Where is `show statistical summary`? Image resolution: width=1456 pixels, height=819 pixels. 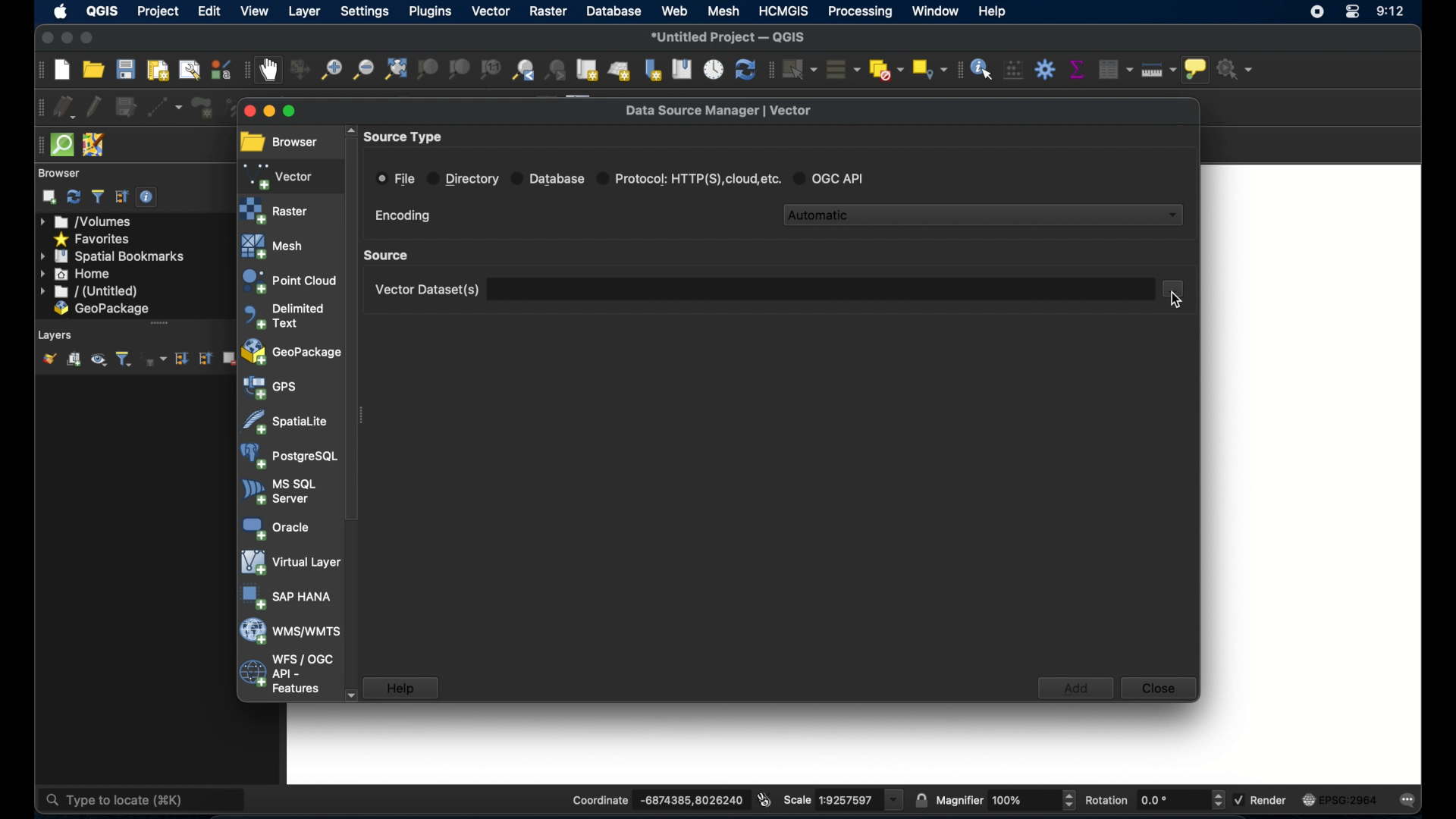 show statistical summary is located at coordinates (1076, 67).